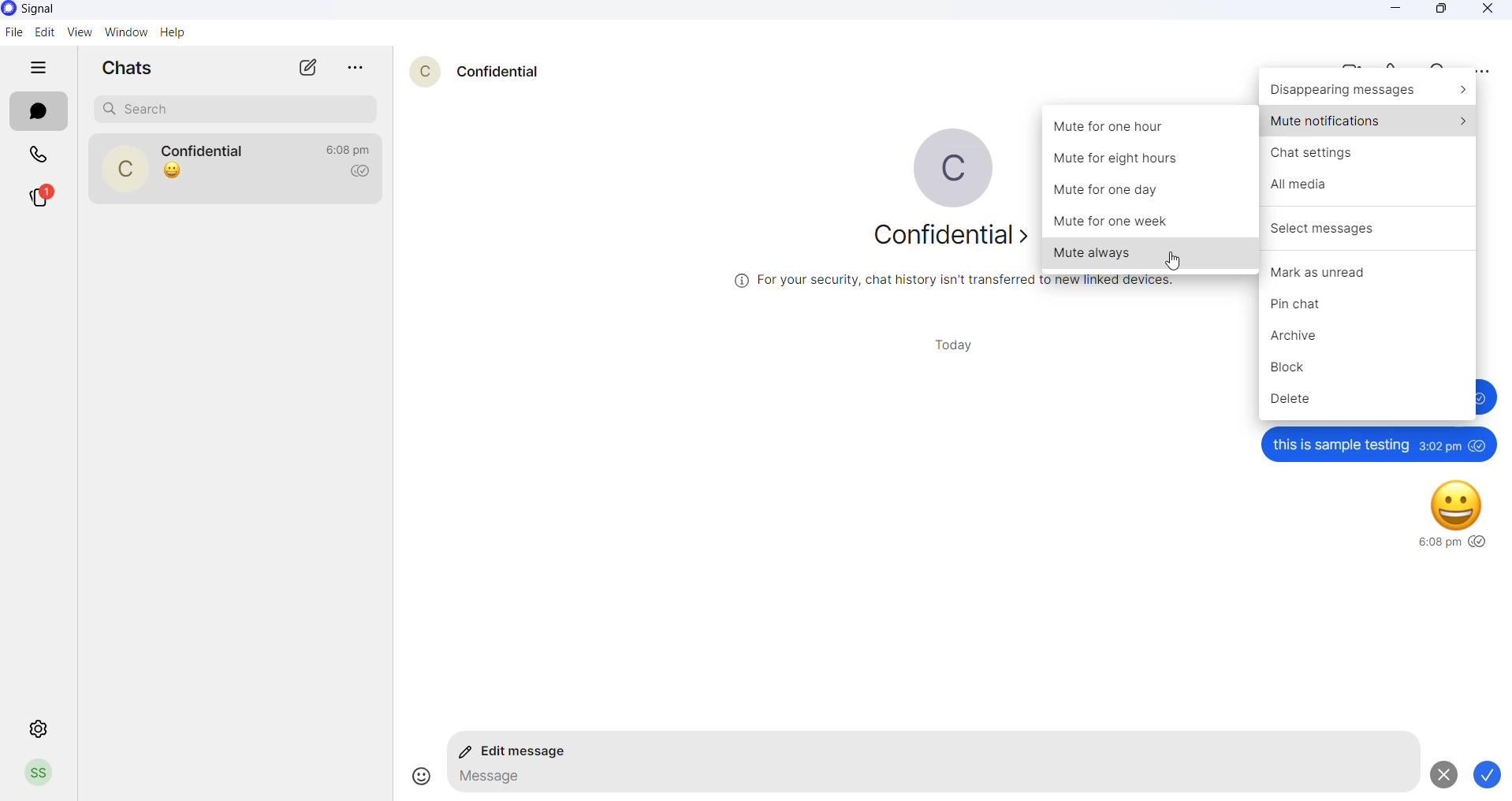 The width and height of the screenshot is (1512, 801). Describe the element at coordinates (519, 753) in the screenshot. I see `edit message` at that location.